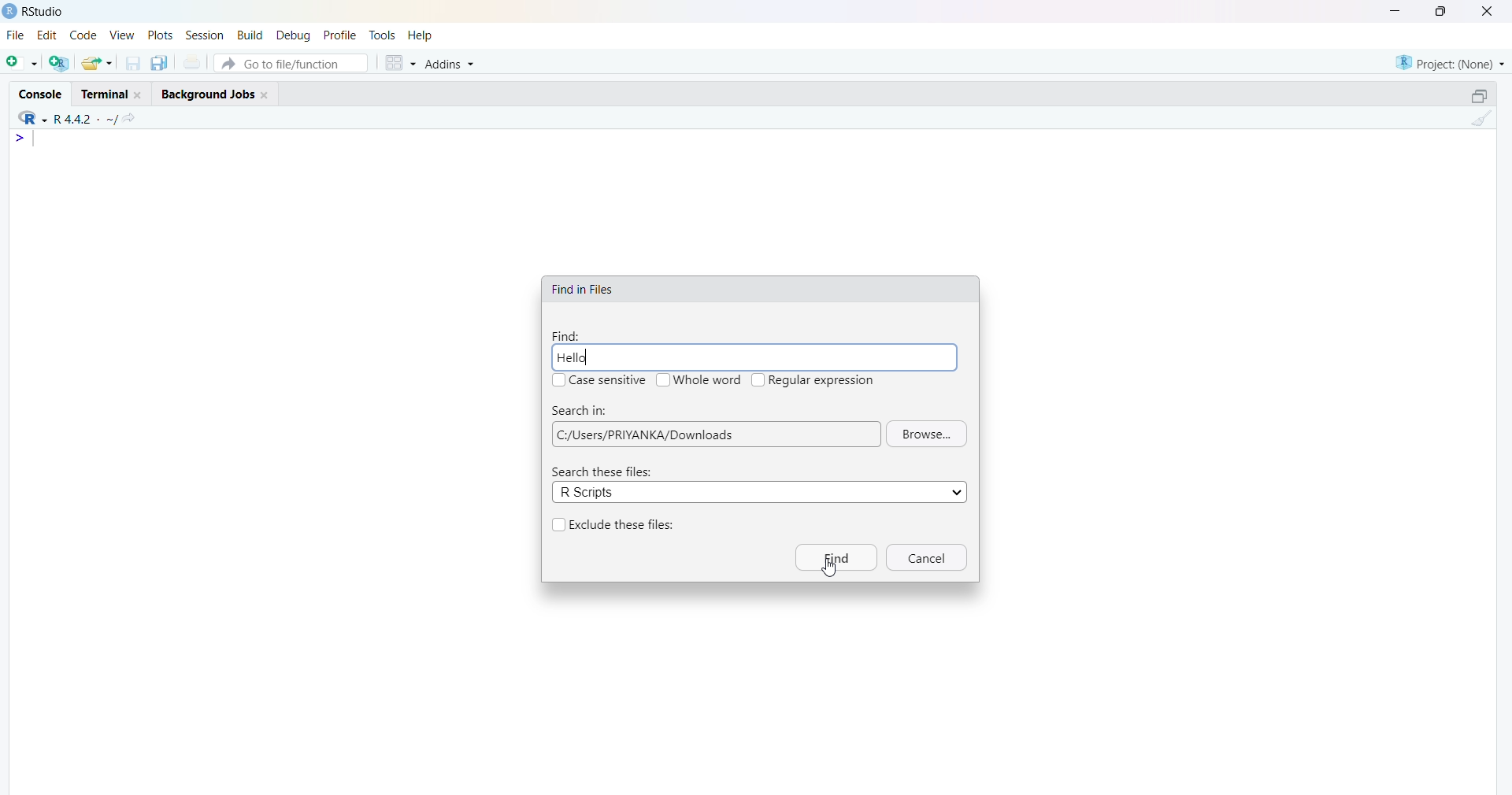 This screenshot has height=795, width=1512. Describe the element at coordinates (580, 411) in the screenshot. I see `Search in:` at that location.